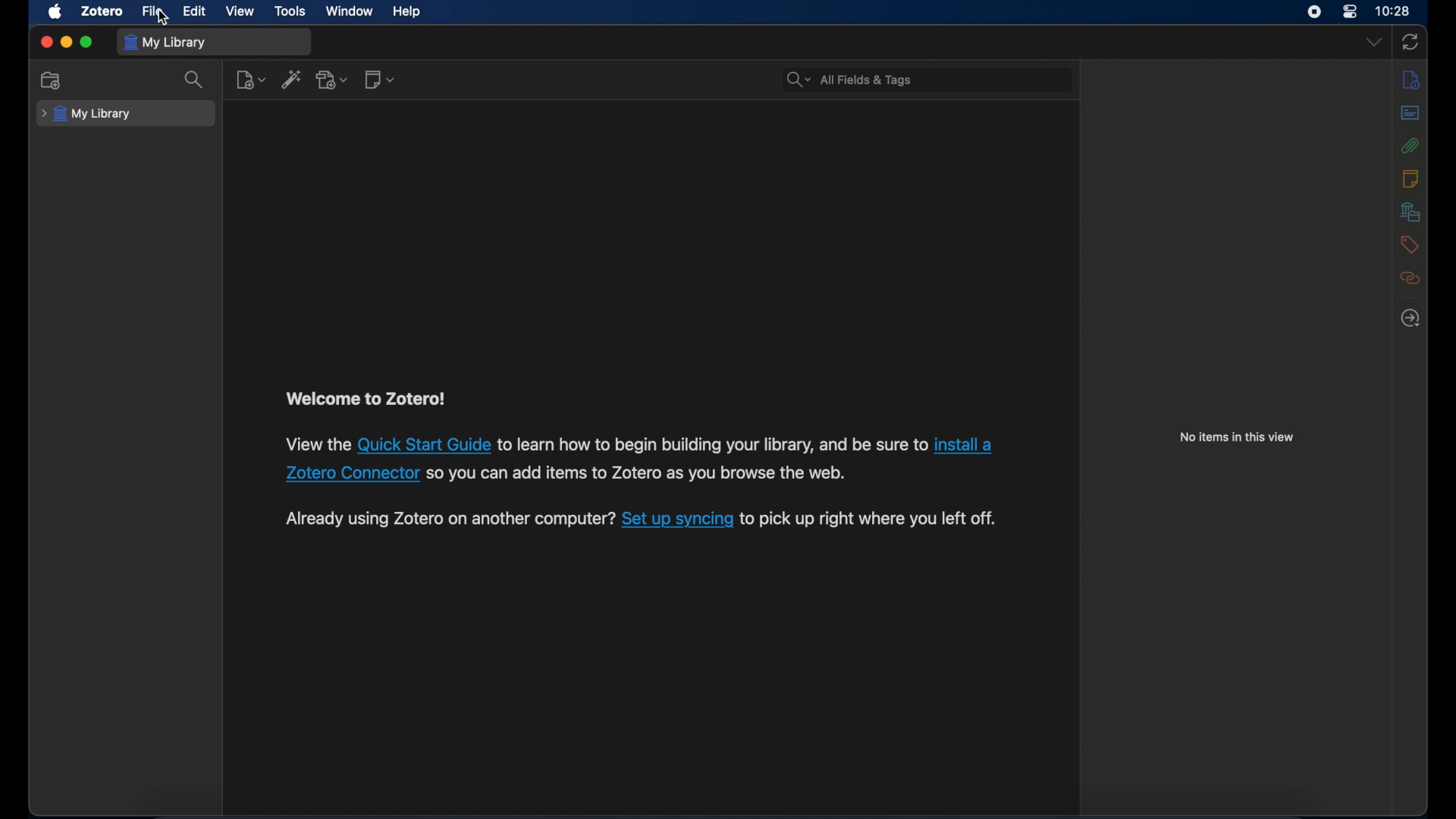 Image resolution: width=1456 pixels, height=819 pixels. I want to click on welcome to zotero, so click(364, 399).